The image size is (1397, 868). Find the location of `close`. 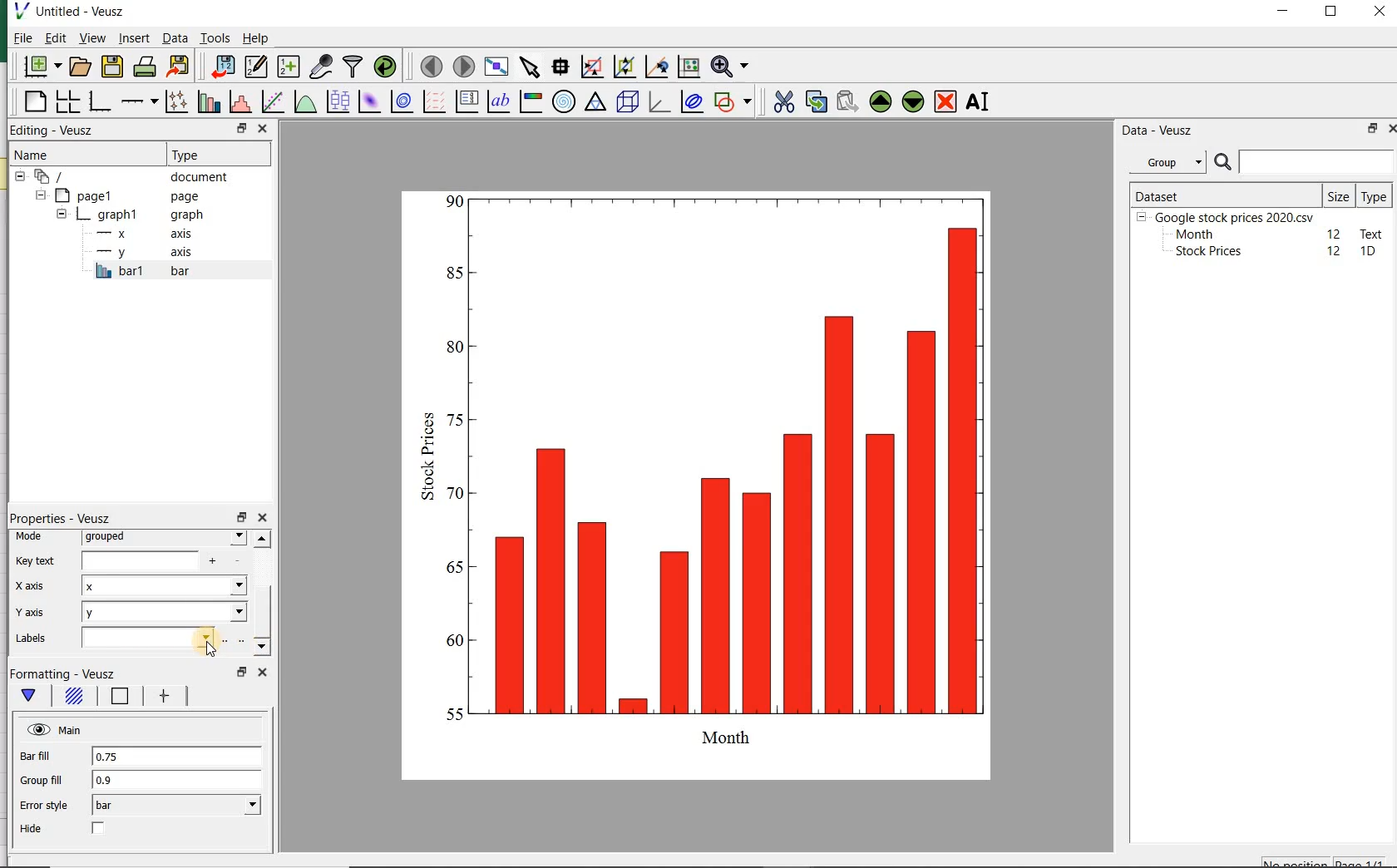

close is located at coordinates (263, 674).